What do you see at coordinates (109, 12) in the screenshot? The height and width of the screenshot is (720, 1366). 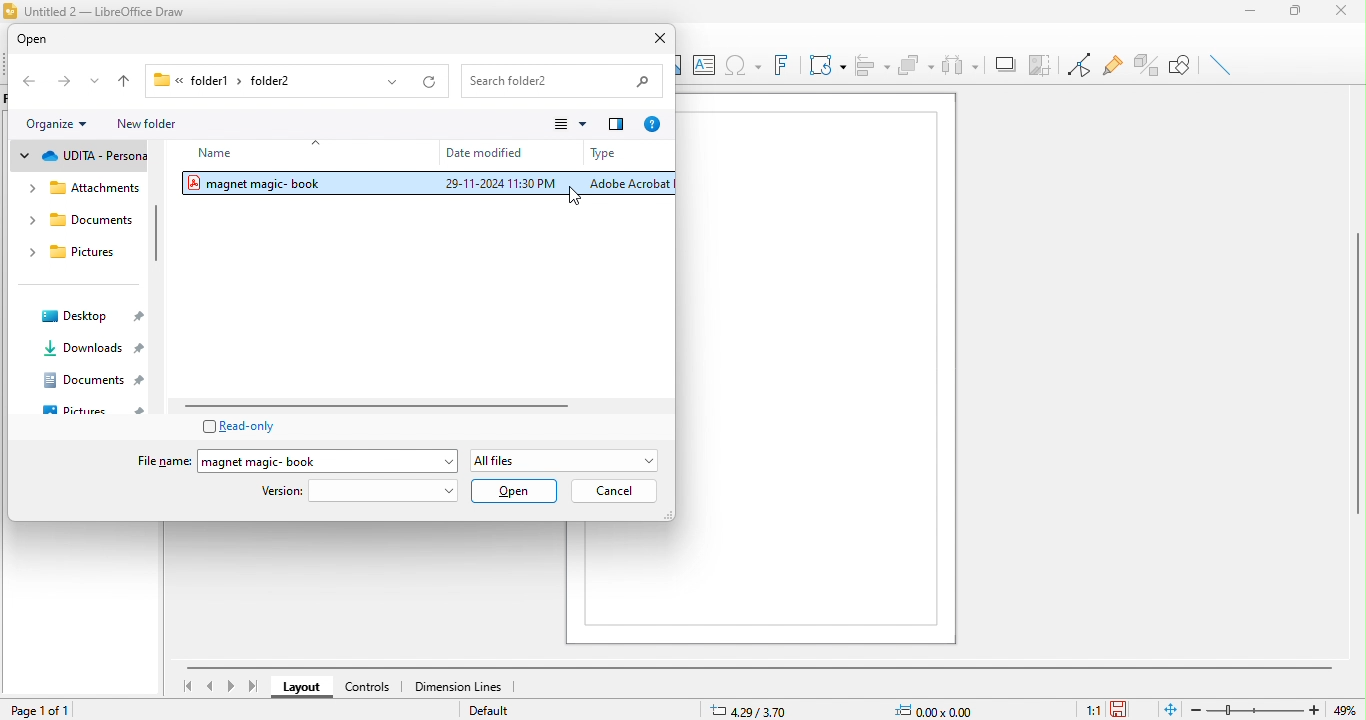 I see `Untitled 2- Libreoffice Draw` at bounding box center [109, 12].